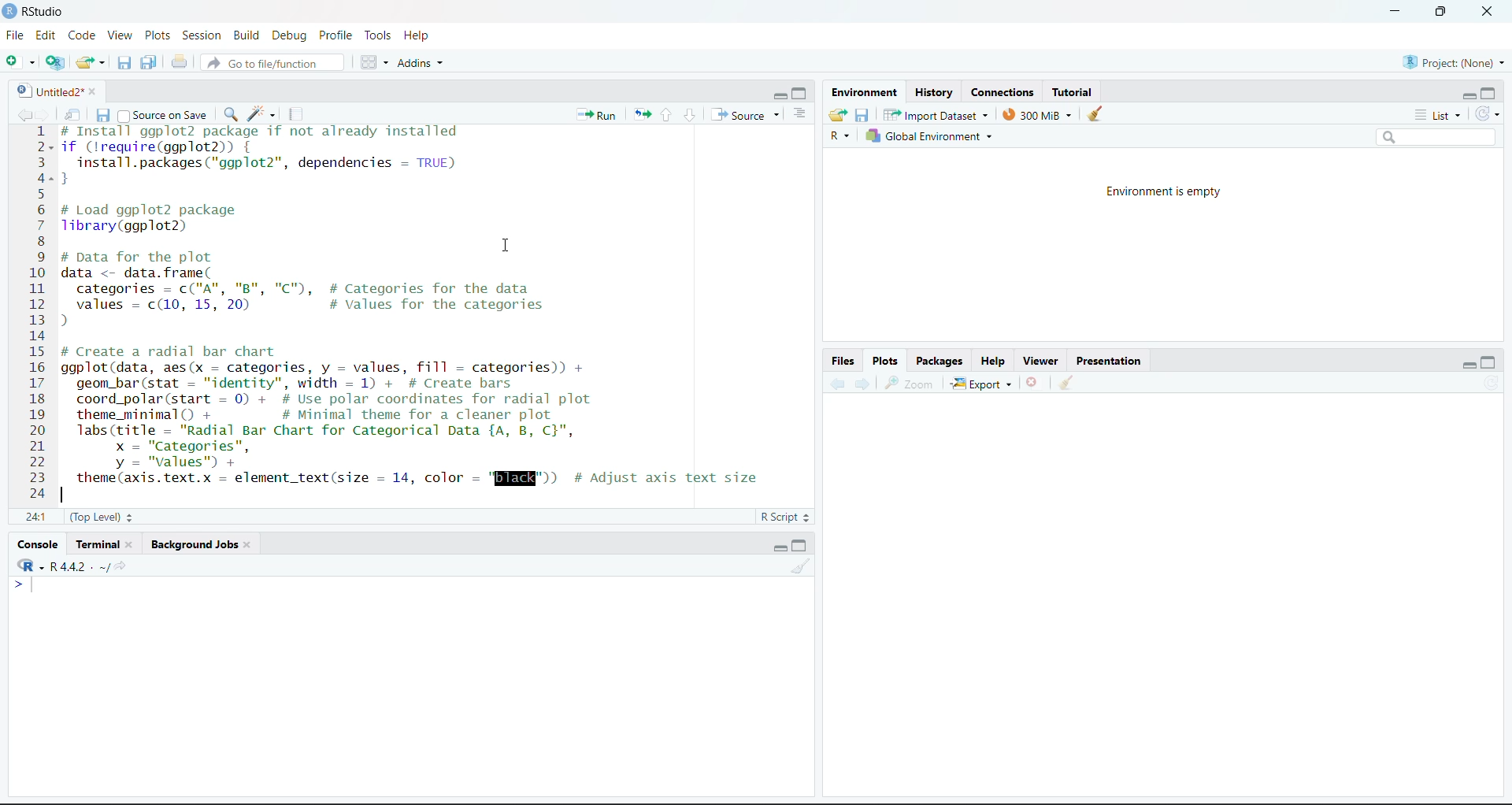 Image resolution: width=1512 pixels, height=805 pixels. What do you see at coordinates (641, 114) in the screenshot?
I see `re run the previous code` at bounding box center [641, 114].